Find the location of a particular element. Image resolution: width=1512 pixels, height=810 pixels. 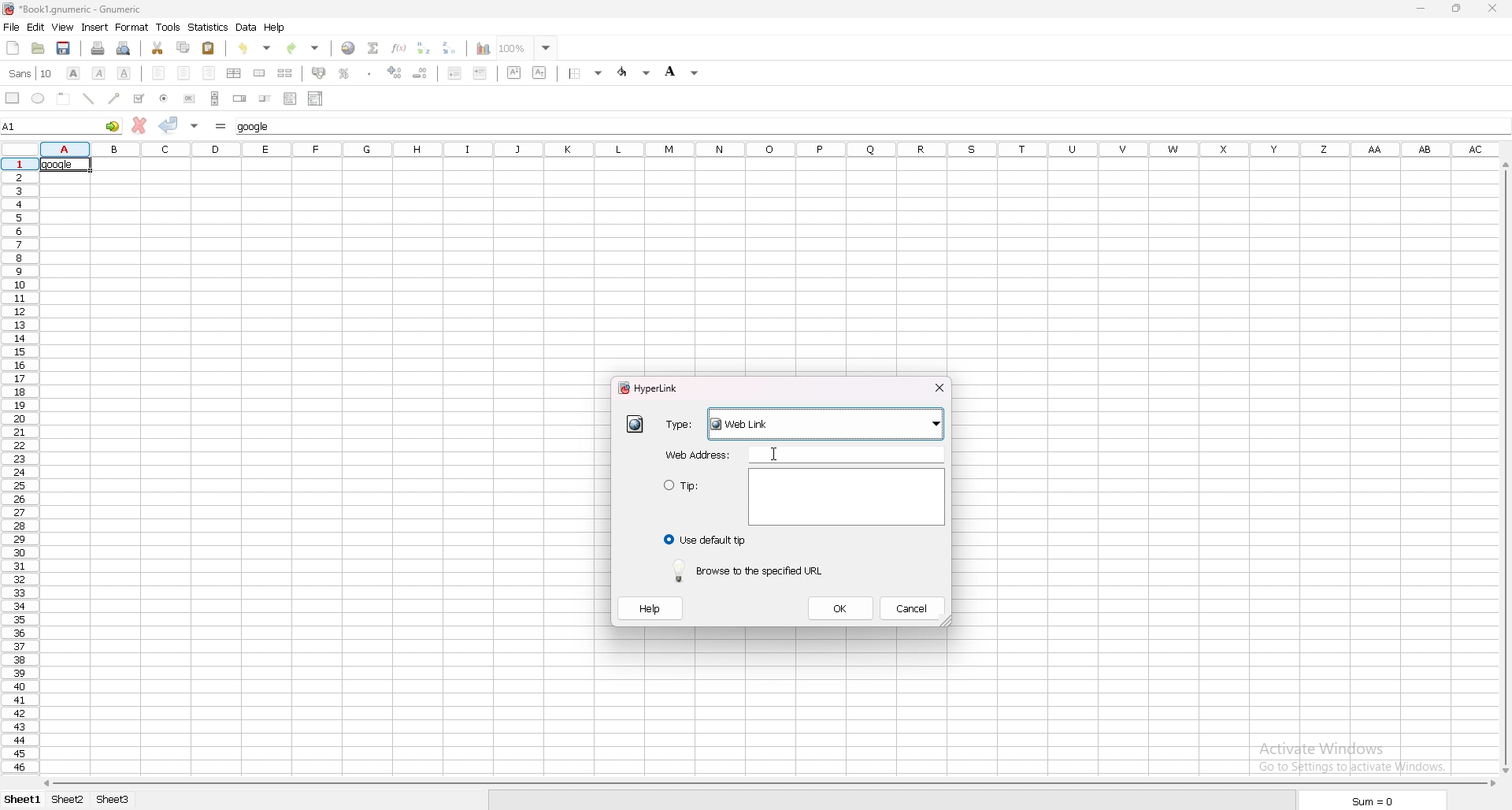

accounting is located at coordinates (320, 72).